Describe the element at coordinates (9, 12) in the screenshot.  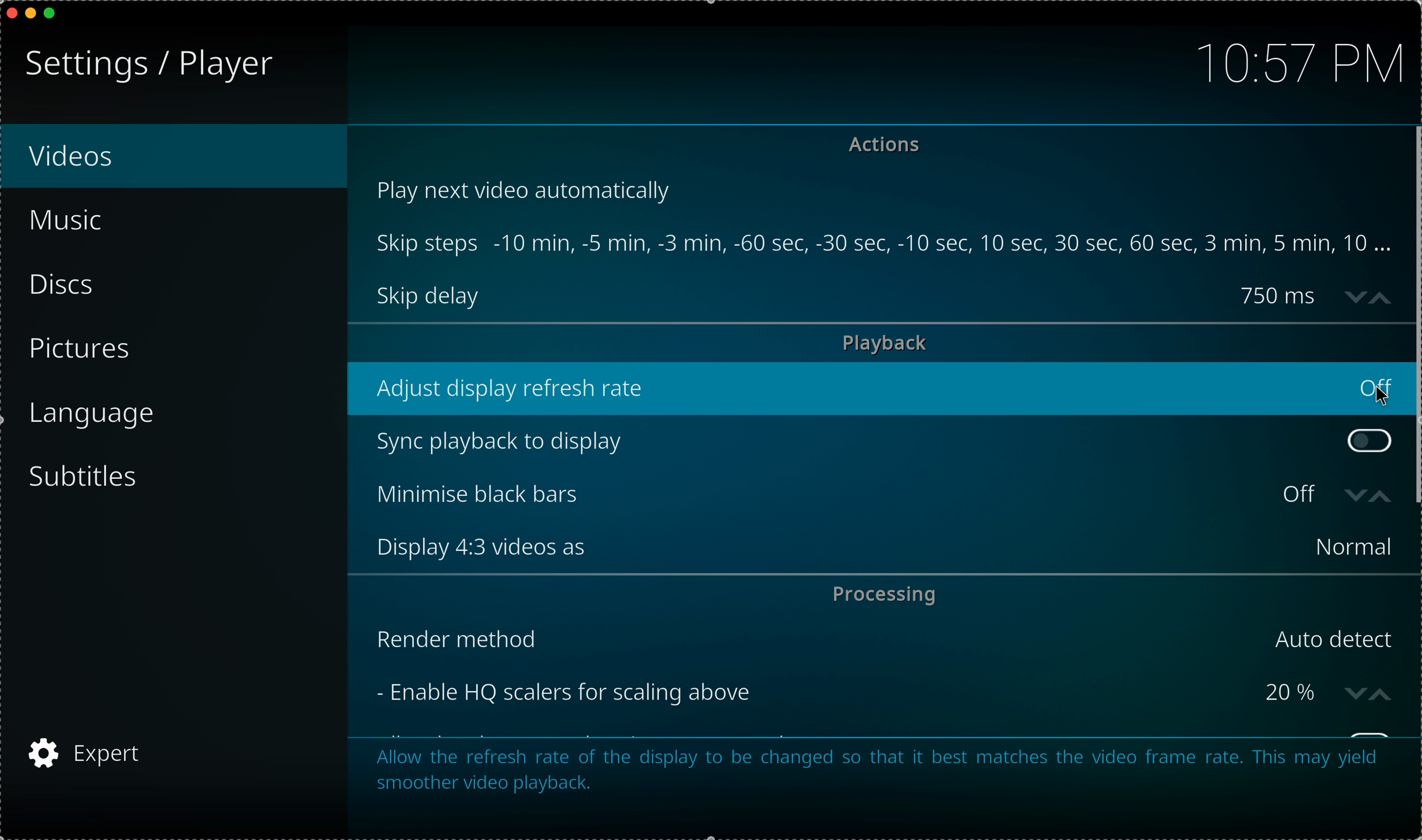
I see `close ` at that location.